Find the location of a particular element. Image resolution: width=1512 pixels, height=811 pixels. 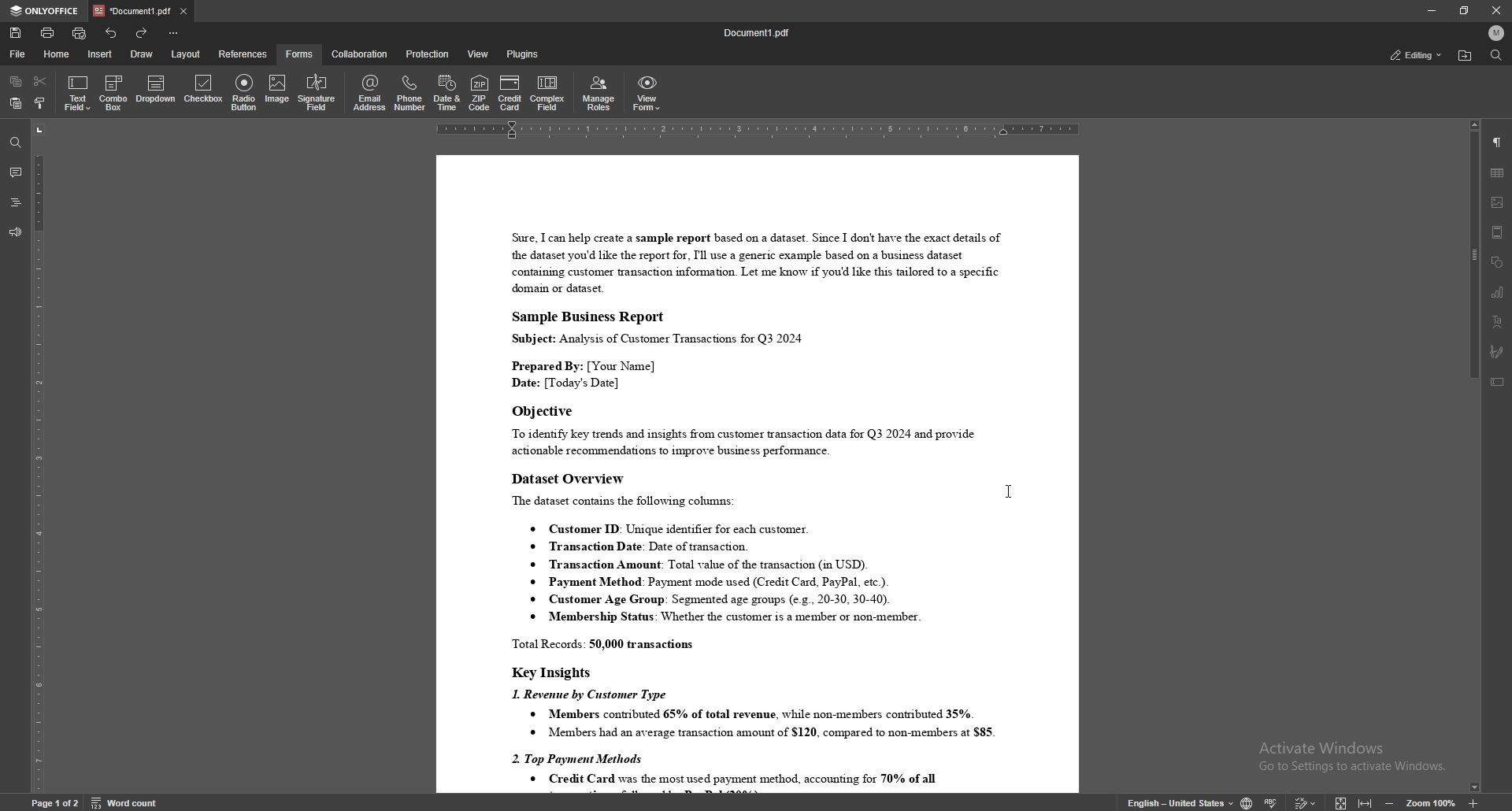

copy style is located at coordinates (42, 105).